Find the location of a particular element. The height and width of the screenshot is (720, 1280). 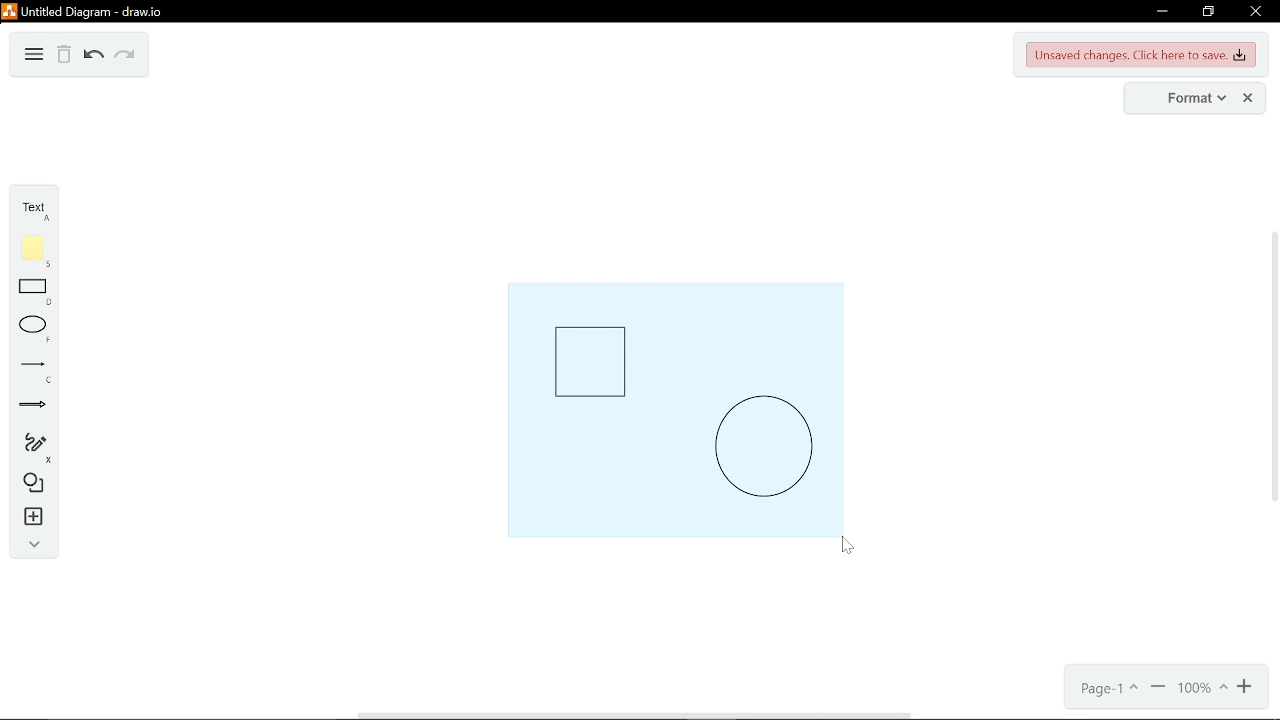

arrow is located at coordinates (27, 408).